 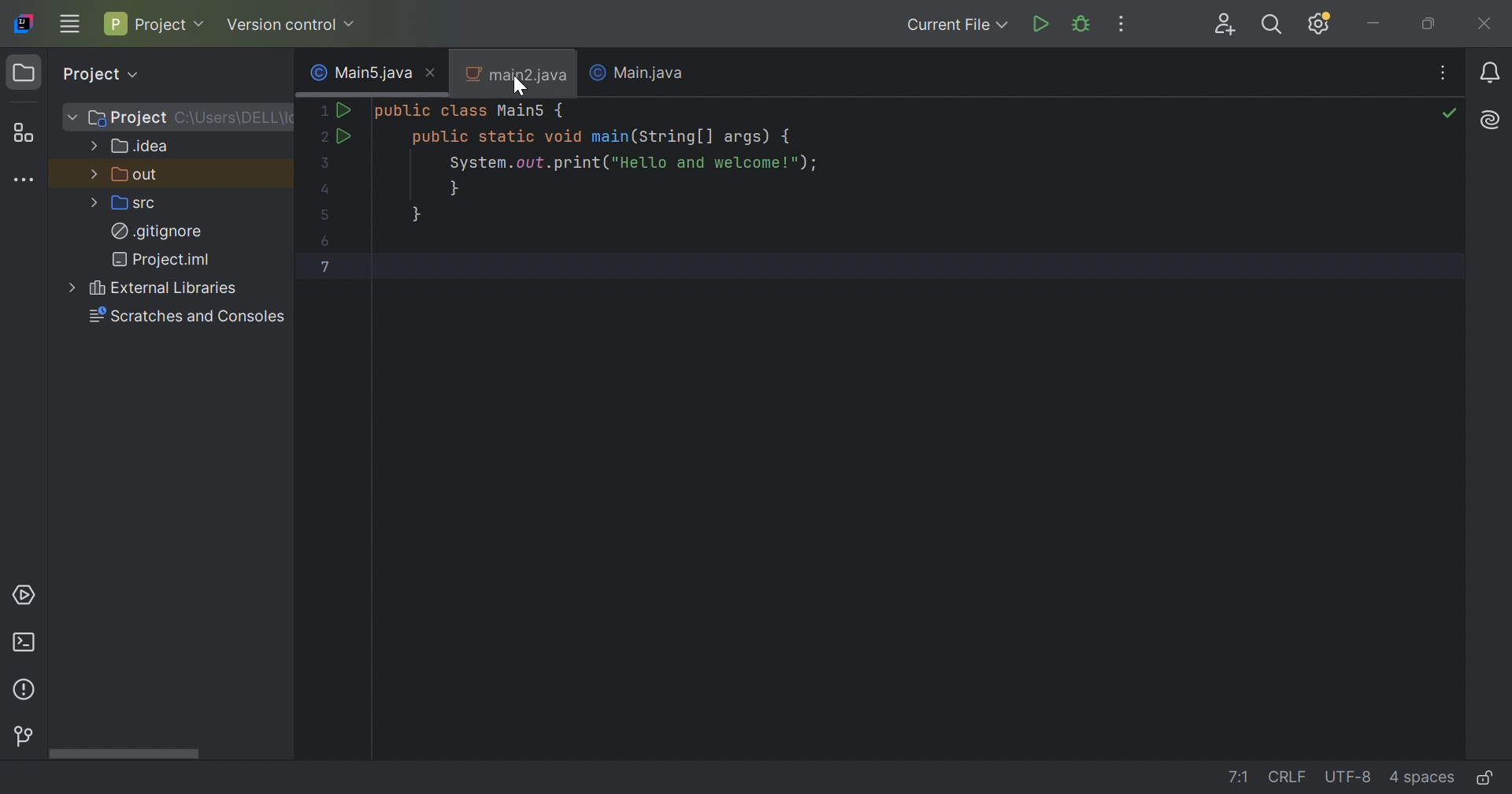 What do you see at coordinates (1290, 780) in the screenshot?
I see `CRLF` at bounding box center [1290, 780].